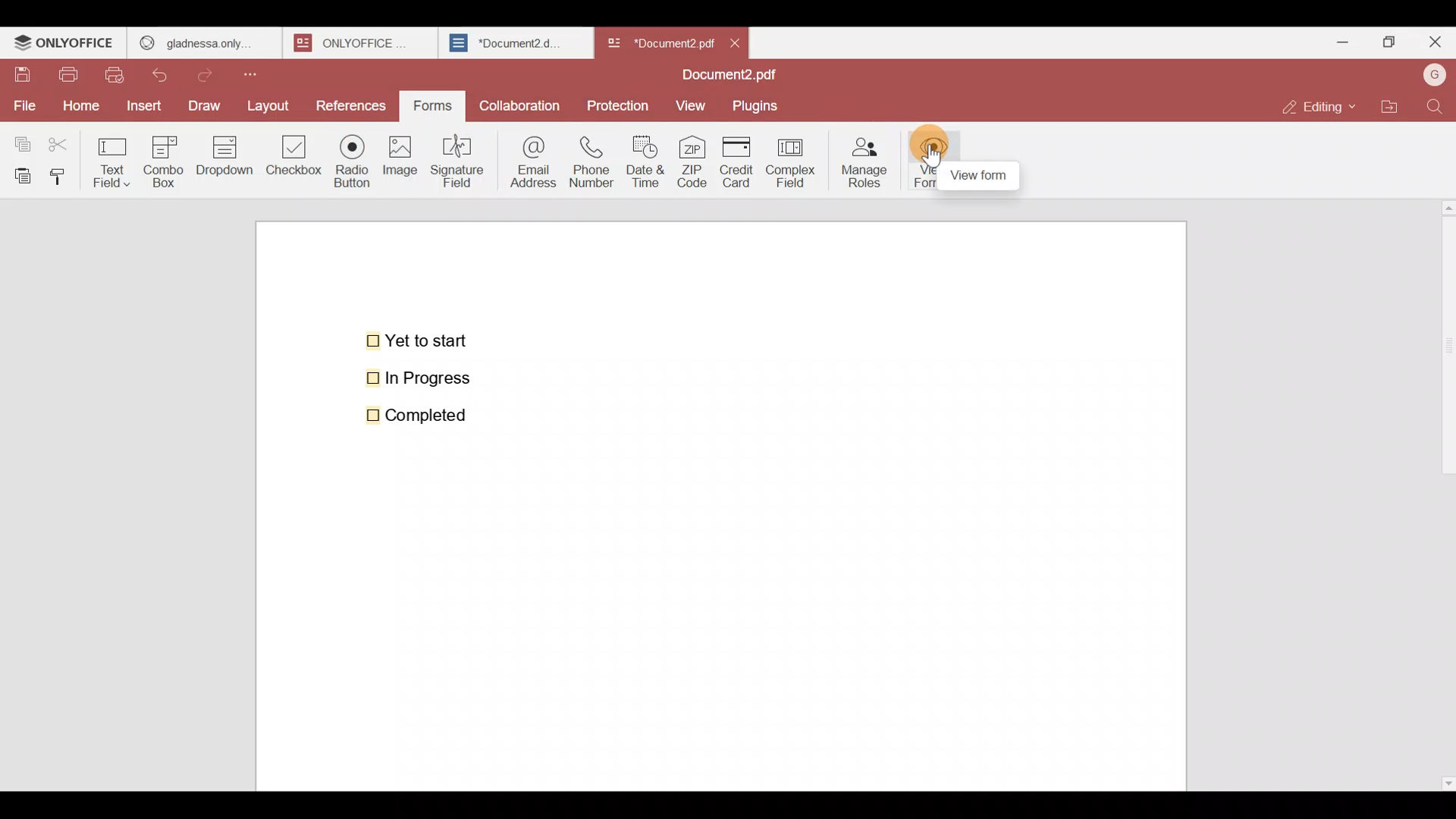  I want to click on Date & time, so click(649, 162).